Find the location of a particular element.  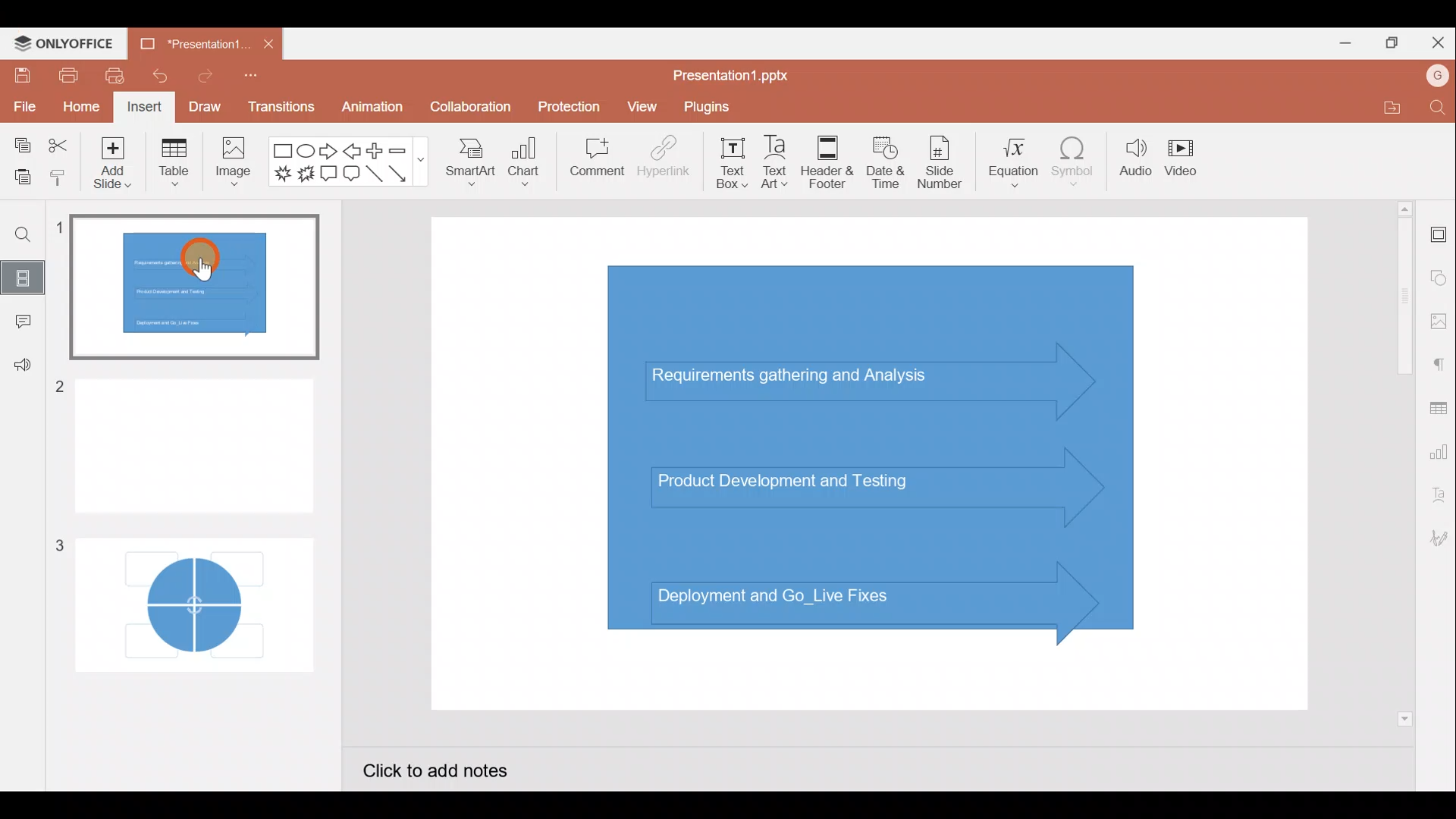

Left arrow is located at coordinates (351, 152).